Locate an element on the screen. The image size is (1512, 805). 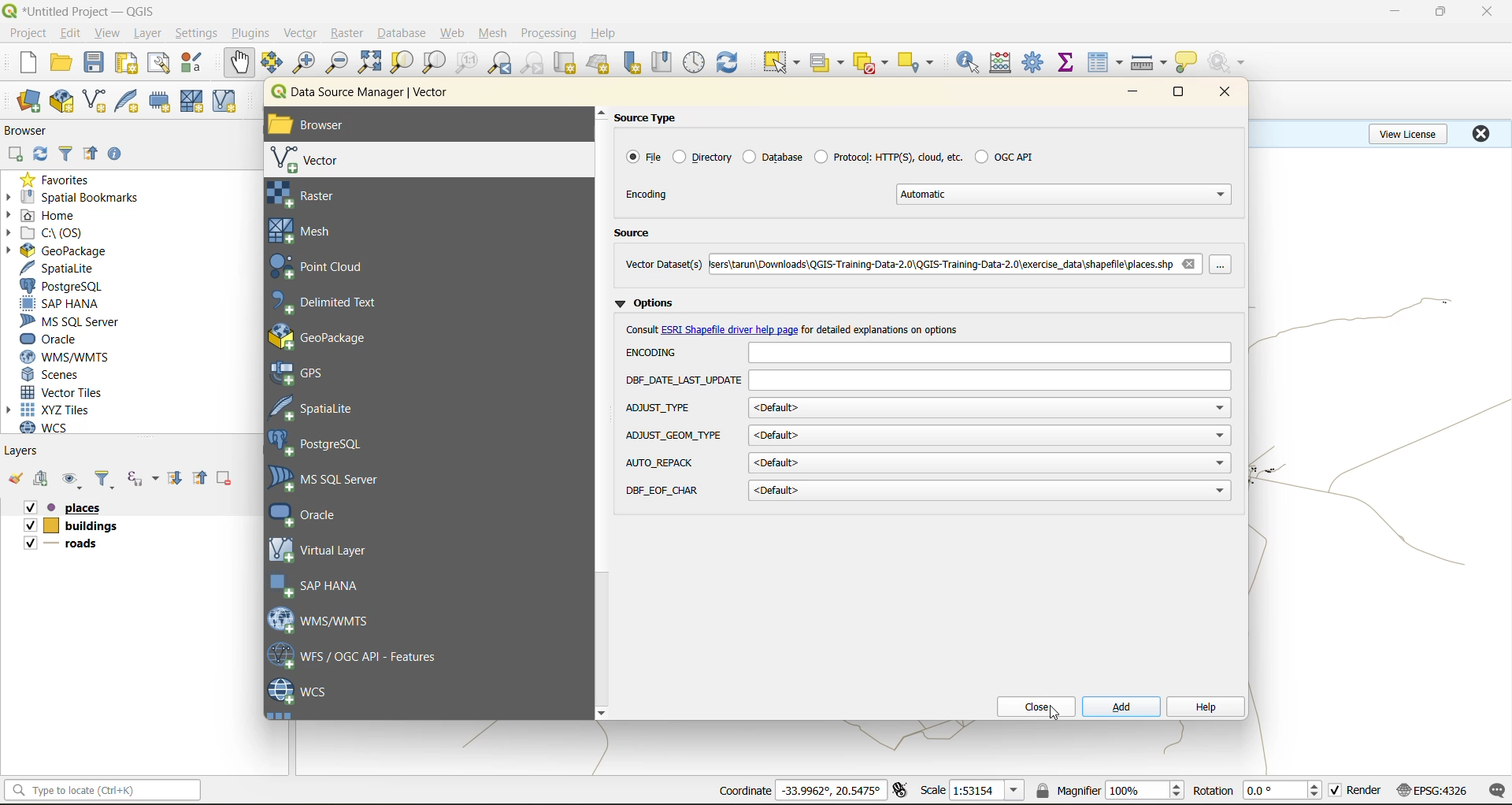
render is located at coordinates (1366, 790).